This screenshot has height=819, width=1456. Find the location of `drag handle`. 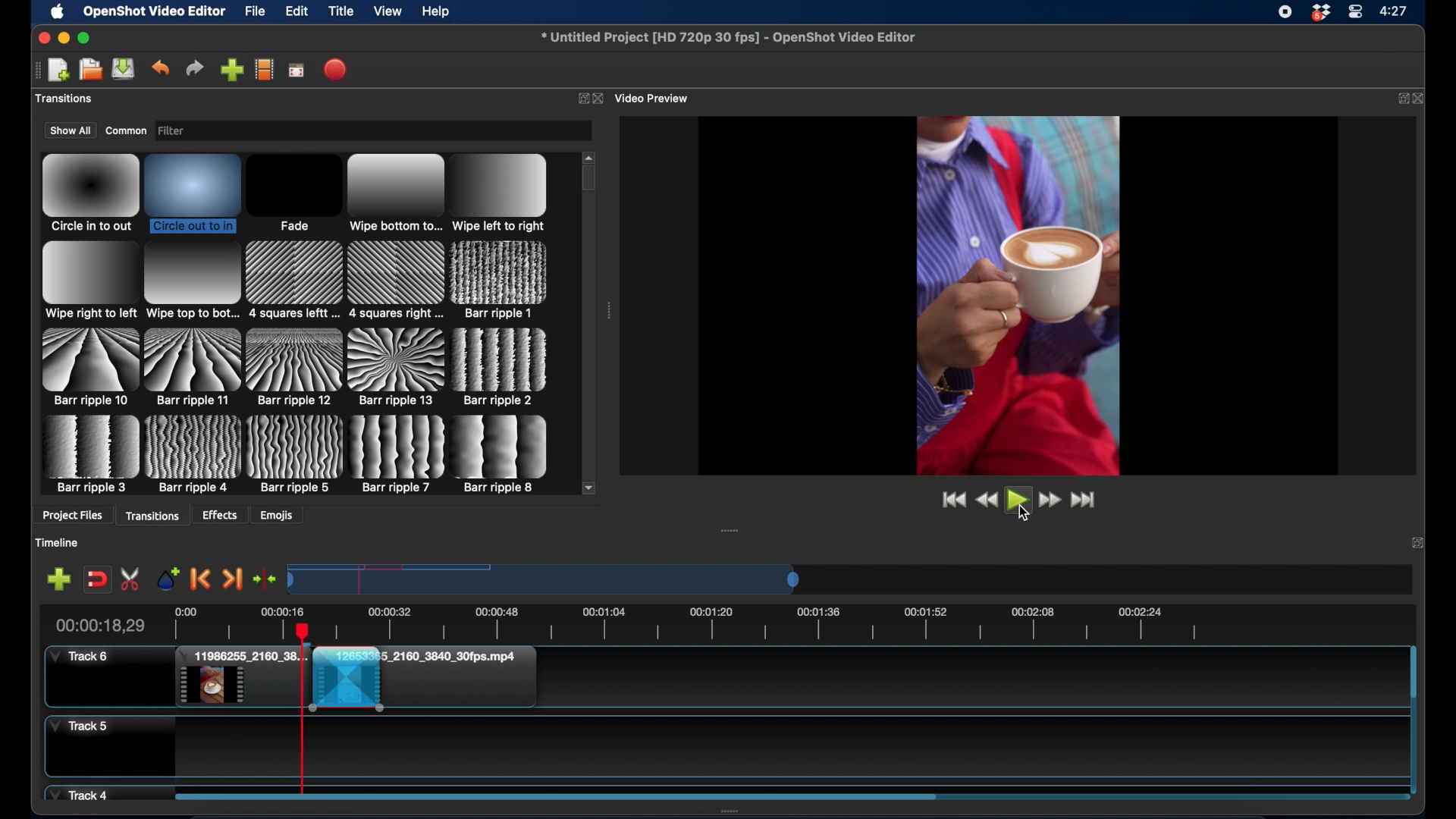

drag handle is located at coordinates (610, 311).